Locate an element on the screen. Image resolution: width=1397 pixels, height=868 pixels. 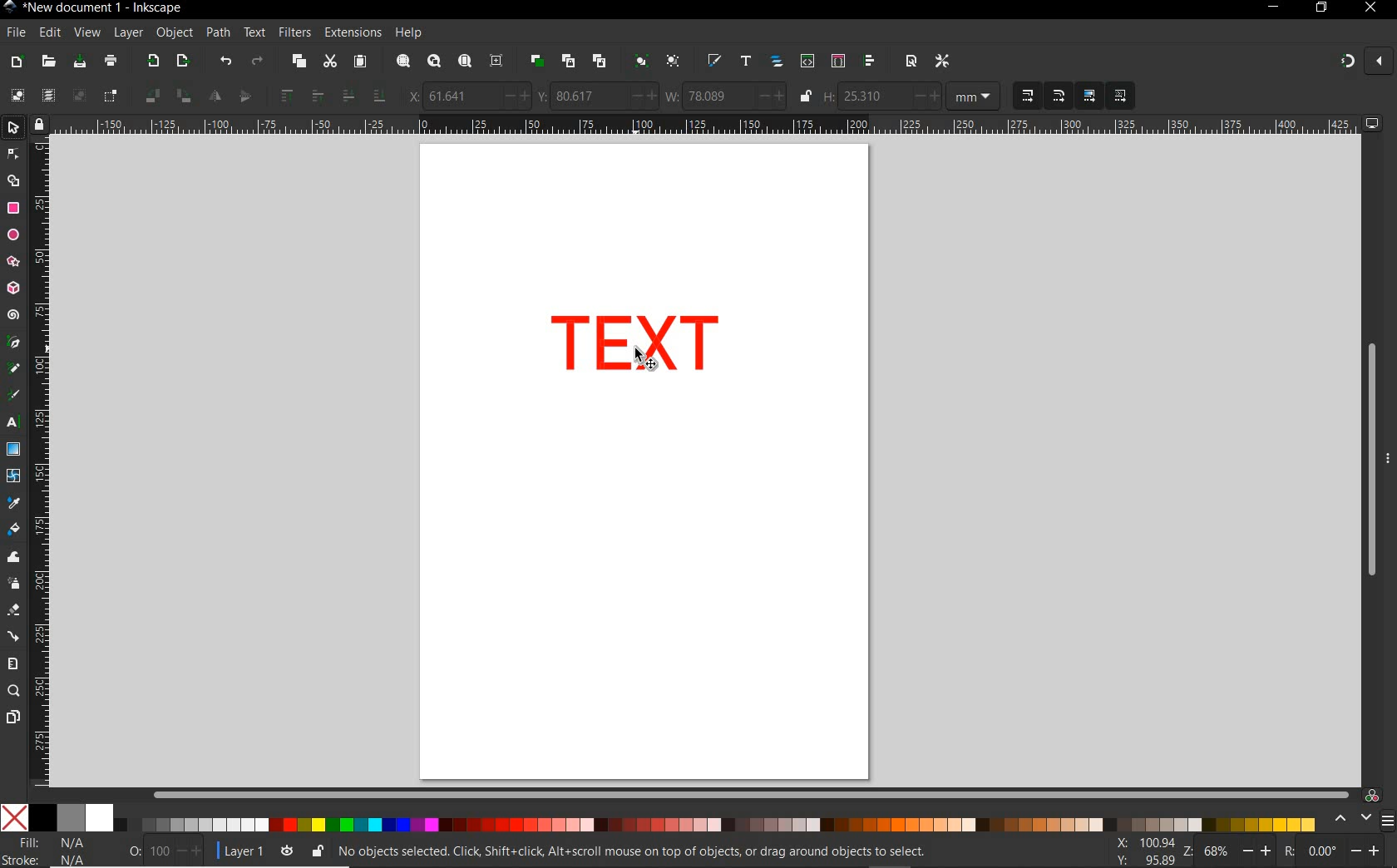
MOVE GRADIENT is located at coordinates (1090, 96).